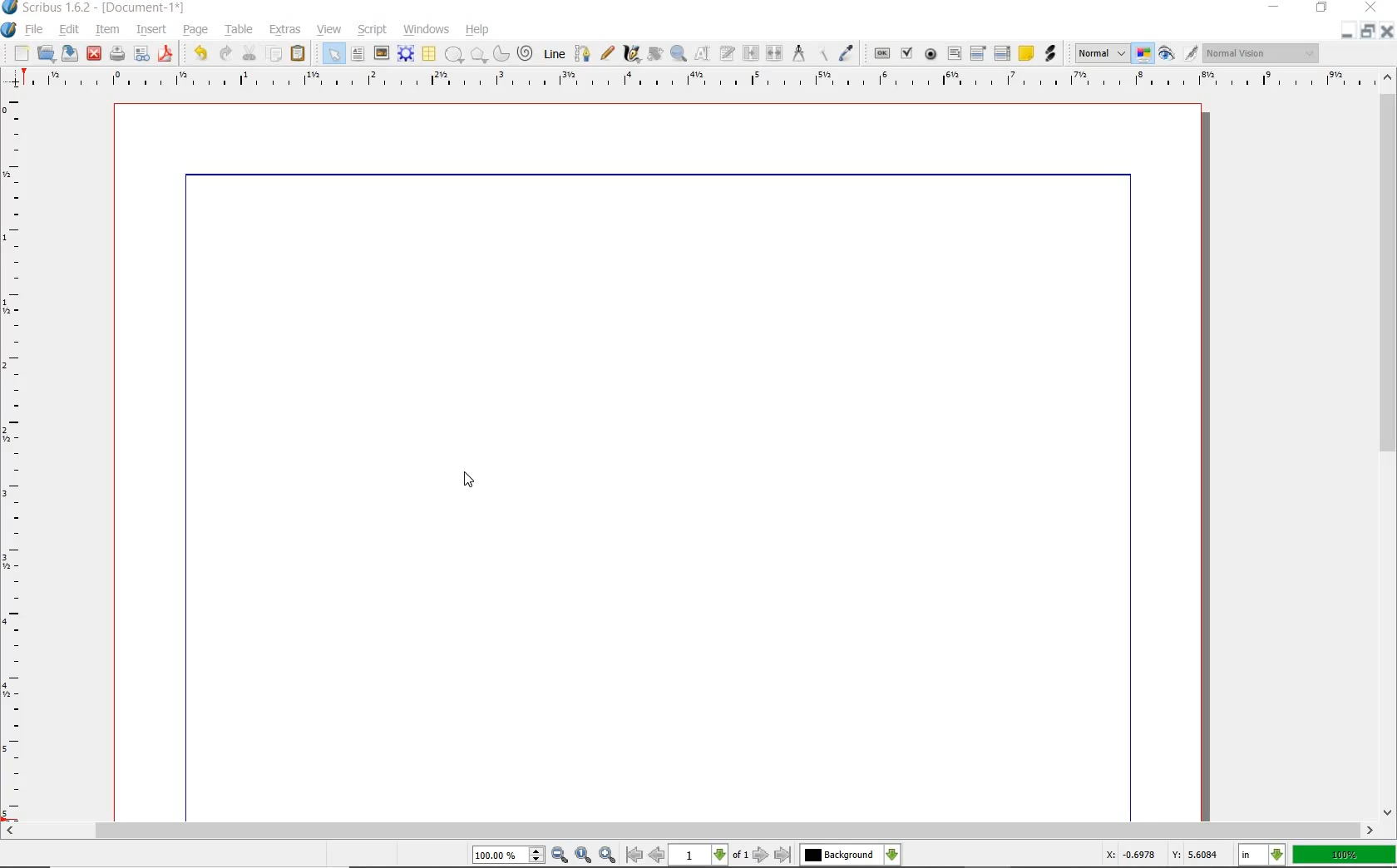  Describe the element at coordinates (453, 55) in the screenshot. I see `SHAPE` at that location.